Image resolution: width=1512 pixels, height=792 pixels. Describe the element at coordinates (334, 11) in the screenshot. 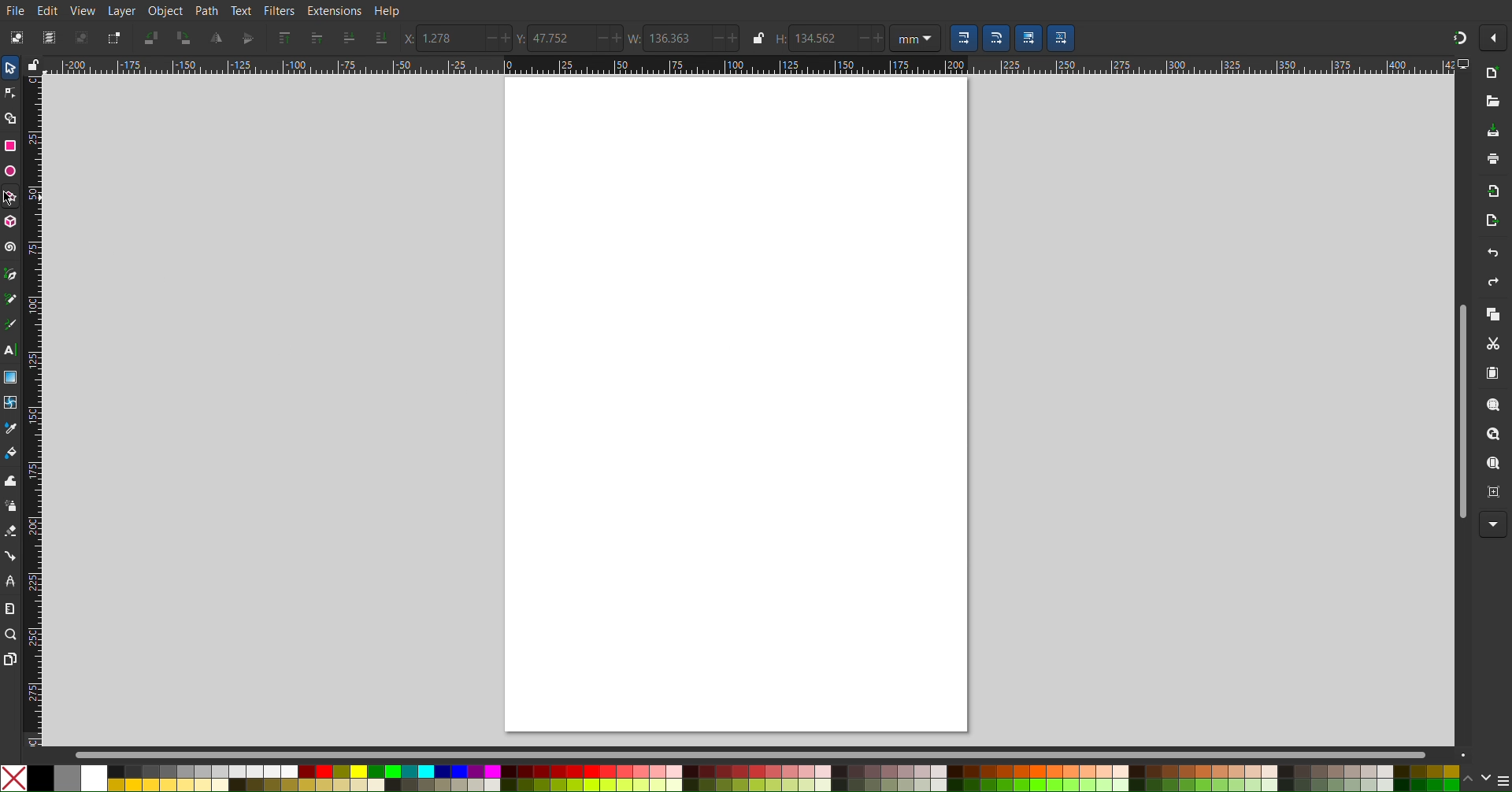

I see `Extensions` at that location.